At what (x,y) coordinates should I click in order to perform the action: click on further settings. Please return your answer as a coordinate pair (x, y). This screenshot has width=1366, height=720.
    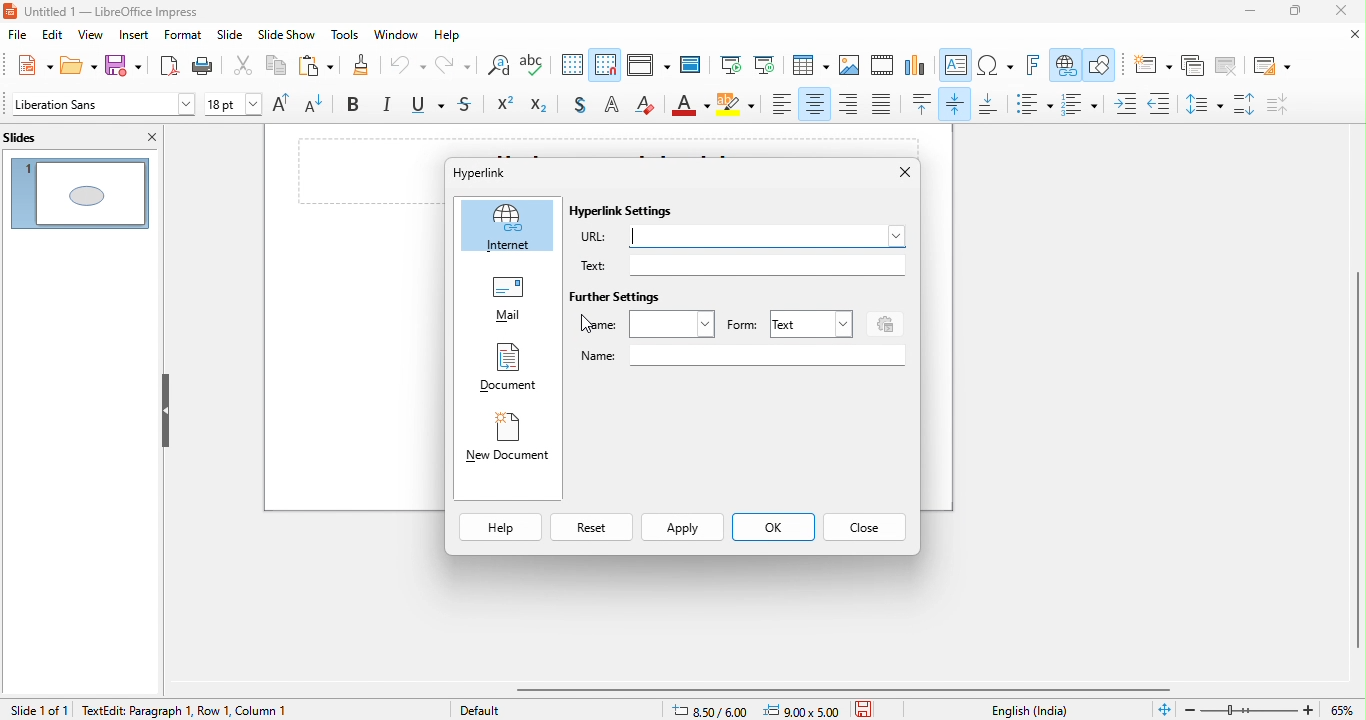
    Looking at the image, I should click on (617, 298).